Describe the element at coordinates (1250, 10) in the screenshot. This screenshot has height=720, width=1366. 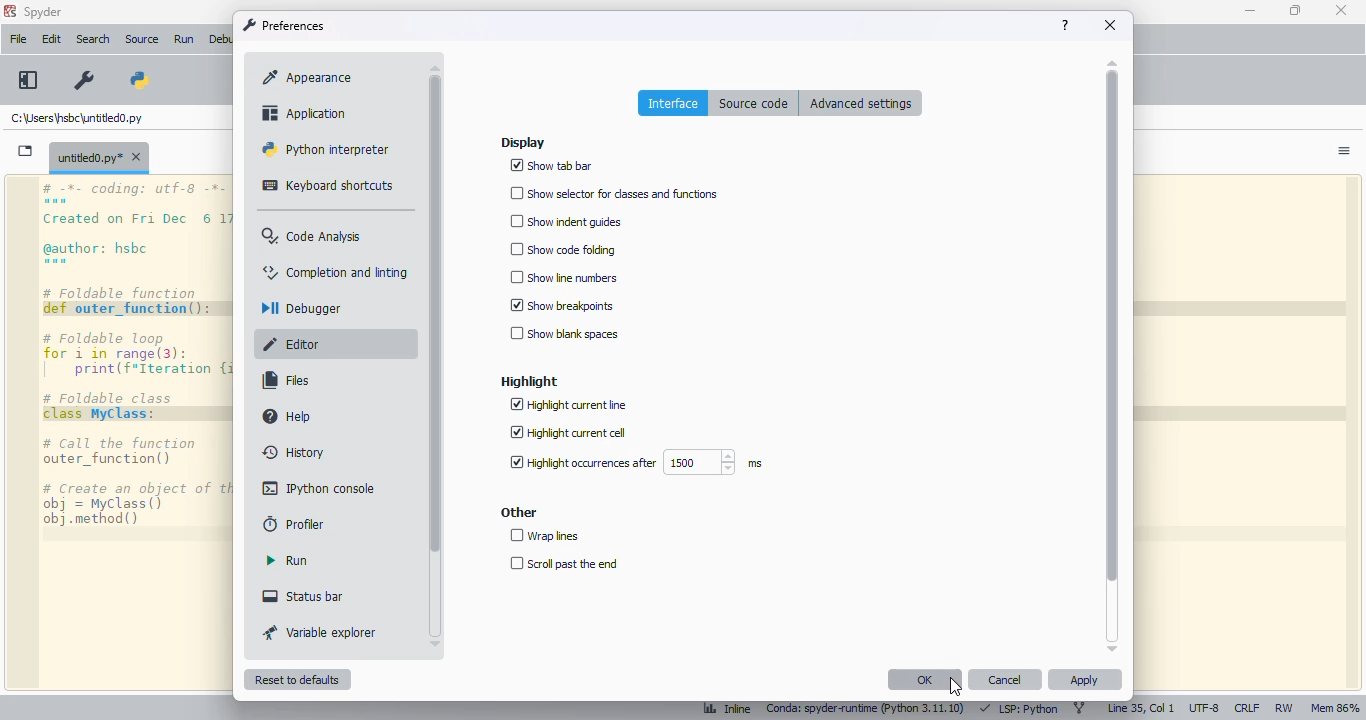
I see `minimize` at that location.